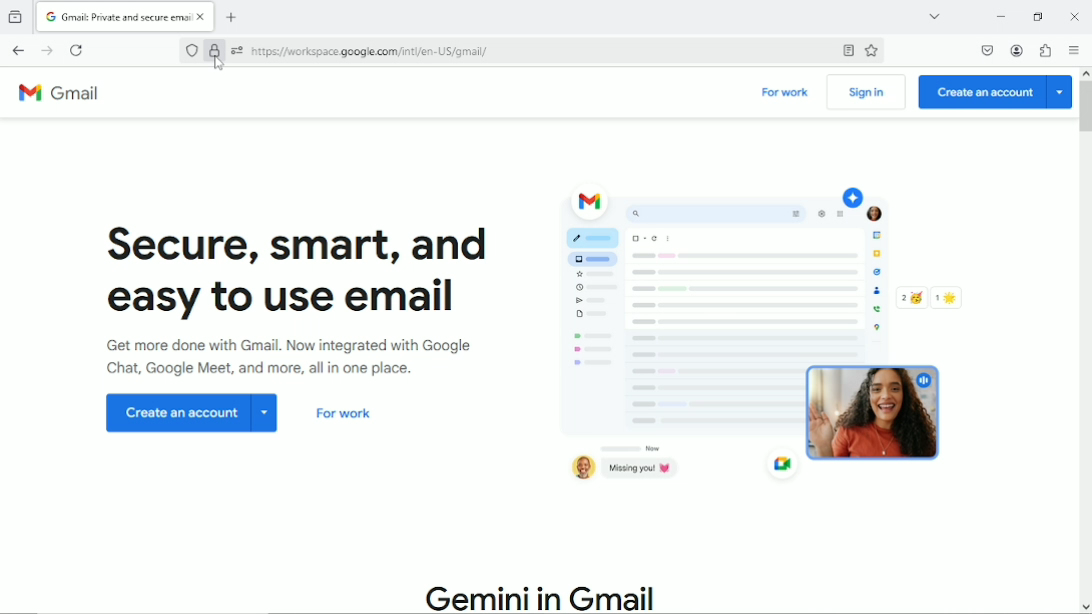 This screenshot has height=614, width=1092. I want to click on Toggle reader view, so click(846, 51).